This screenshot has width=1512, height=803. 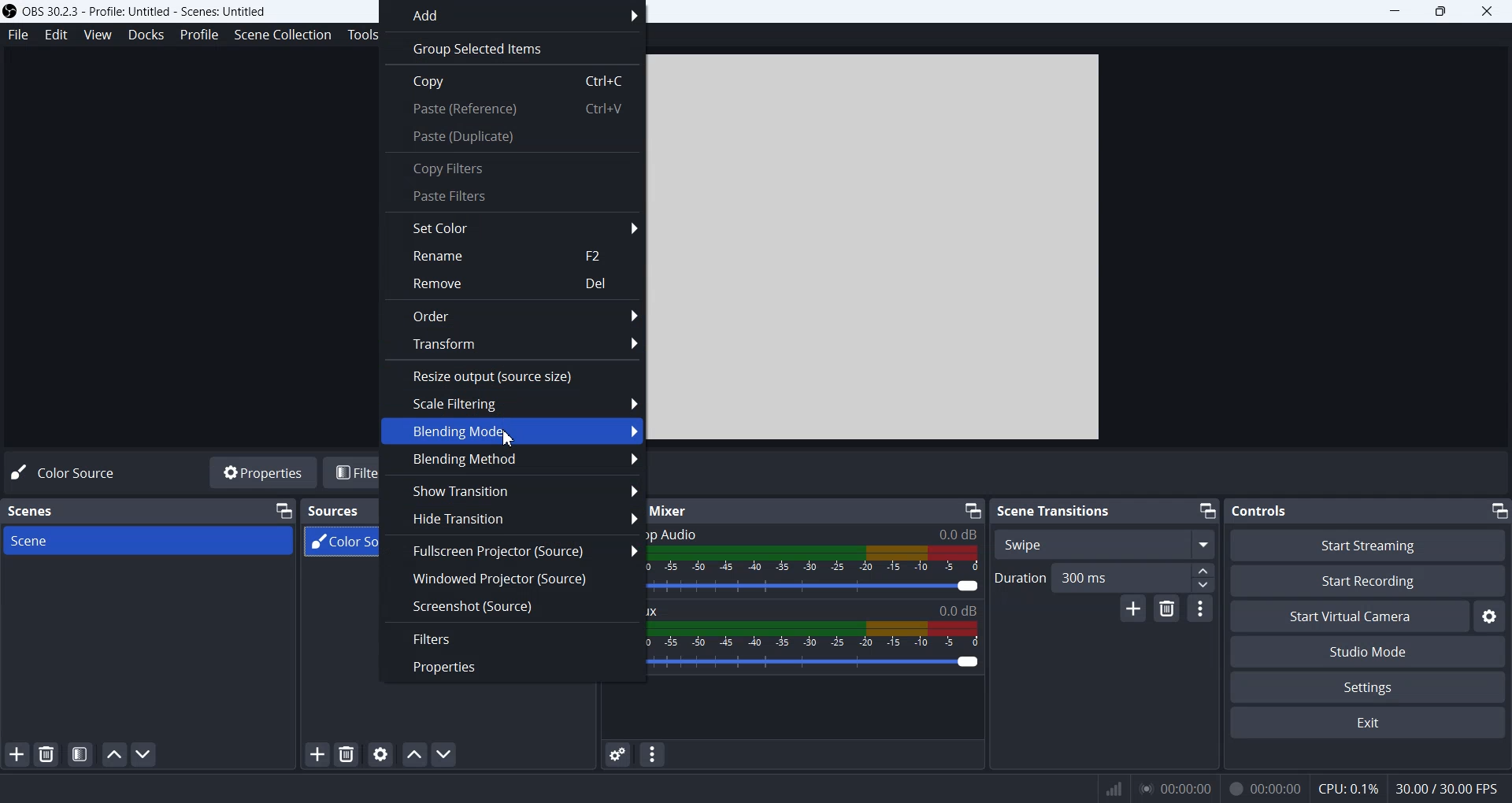 I want to click on Minimize, so click(x=1499, y=512).